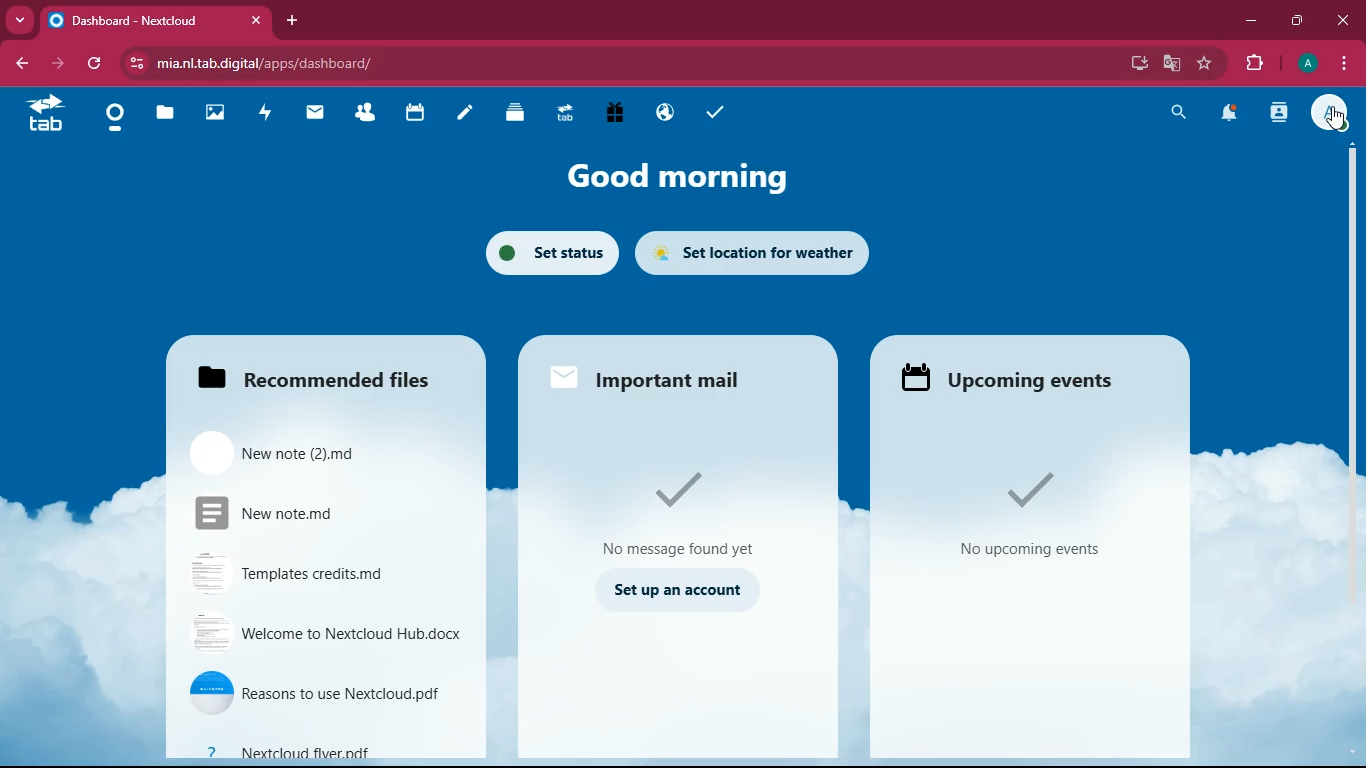 The width and height of the screenshot is (1366, 768). What do you see at coordinates (713, 116) in the screenshot?
I see `tasks` at bounding box center [713, 116].